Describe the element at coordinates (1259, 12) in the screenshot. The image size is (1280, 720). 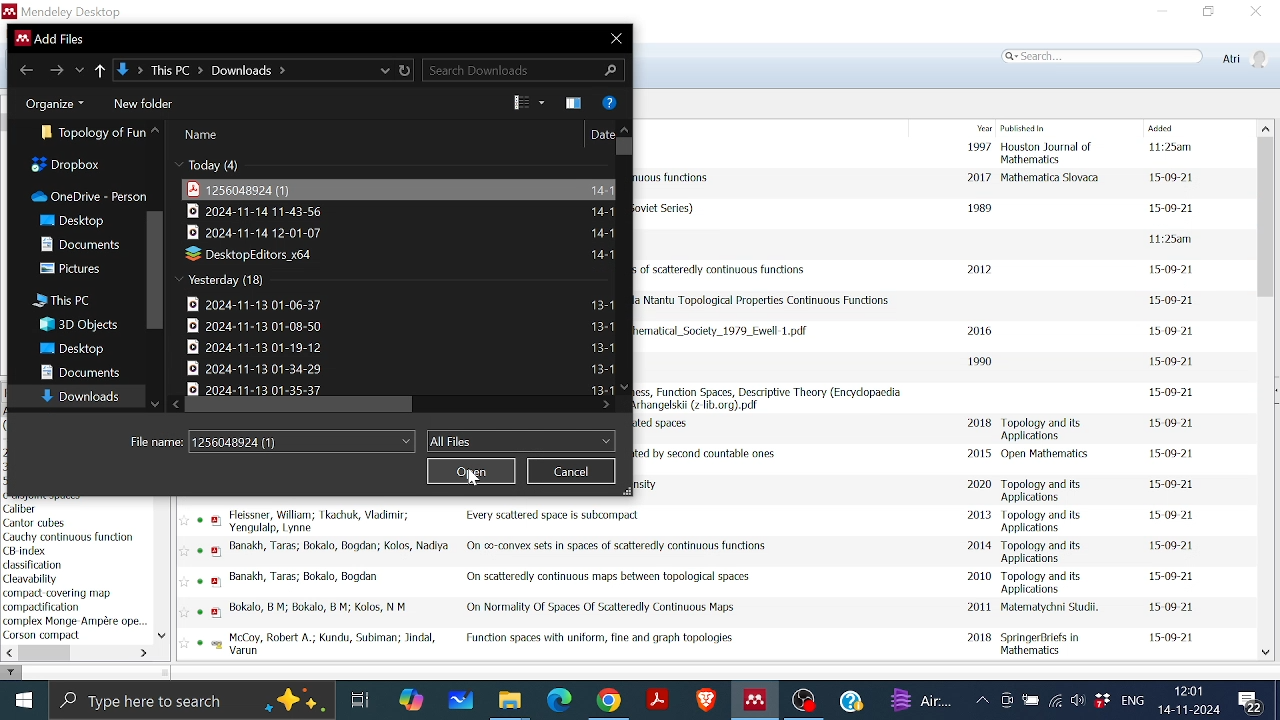
I see `Close` at that location.